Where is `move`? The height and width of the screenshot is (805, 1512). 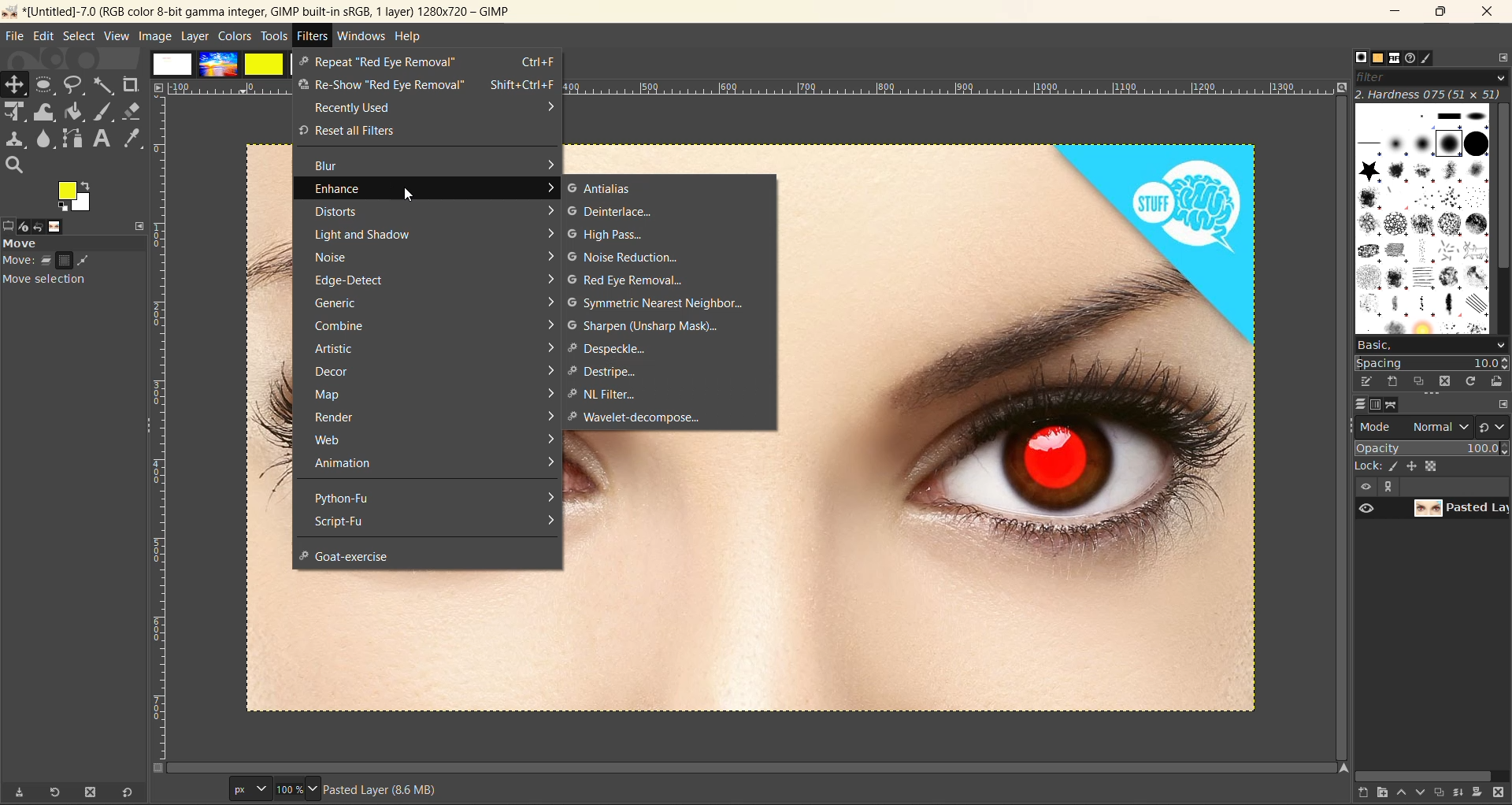 move is located at coordinates (76, 265).